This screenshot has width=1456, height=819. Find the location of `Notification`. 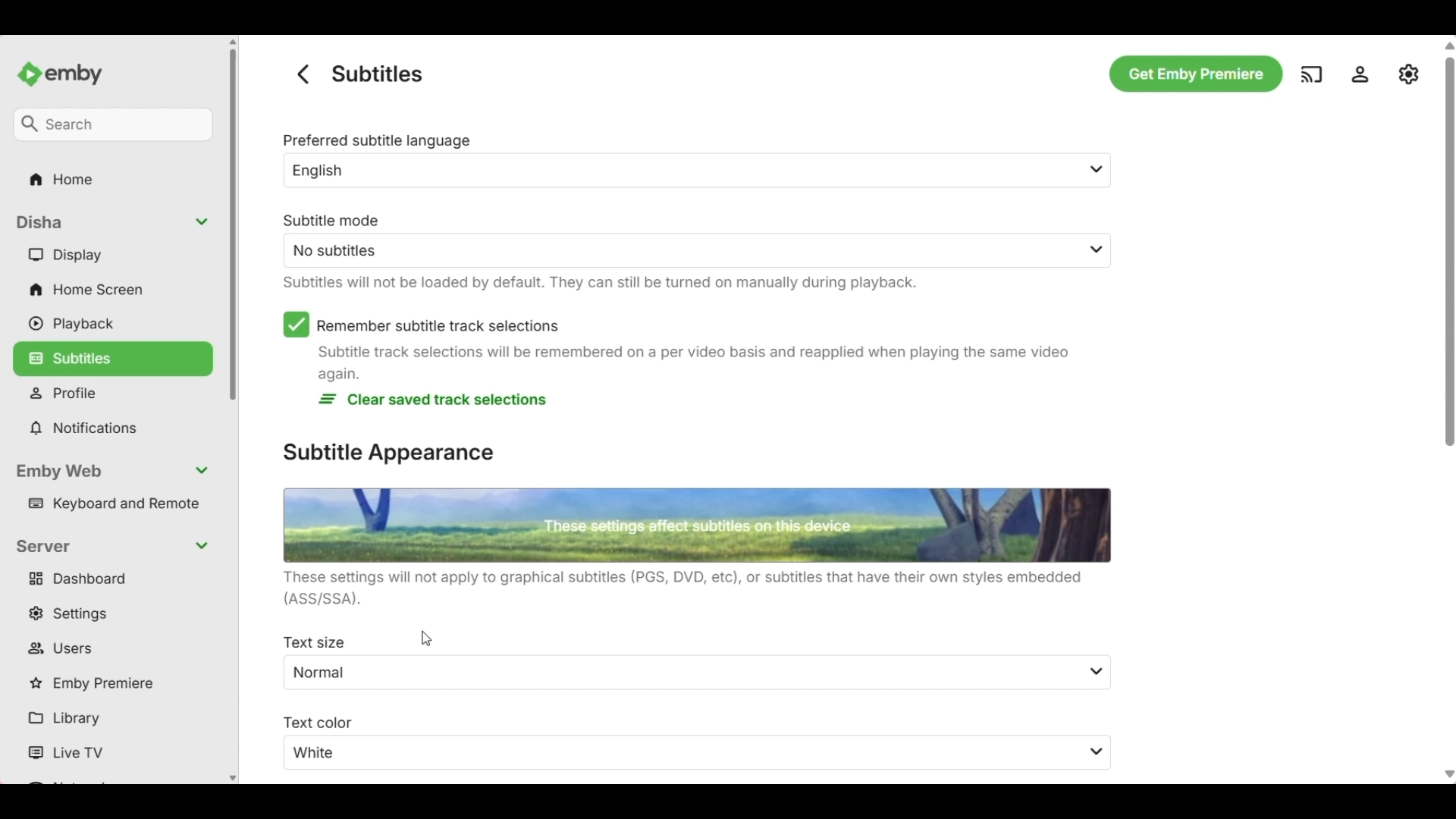

Notification is located at coordinates (114, 428).